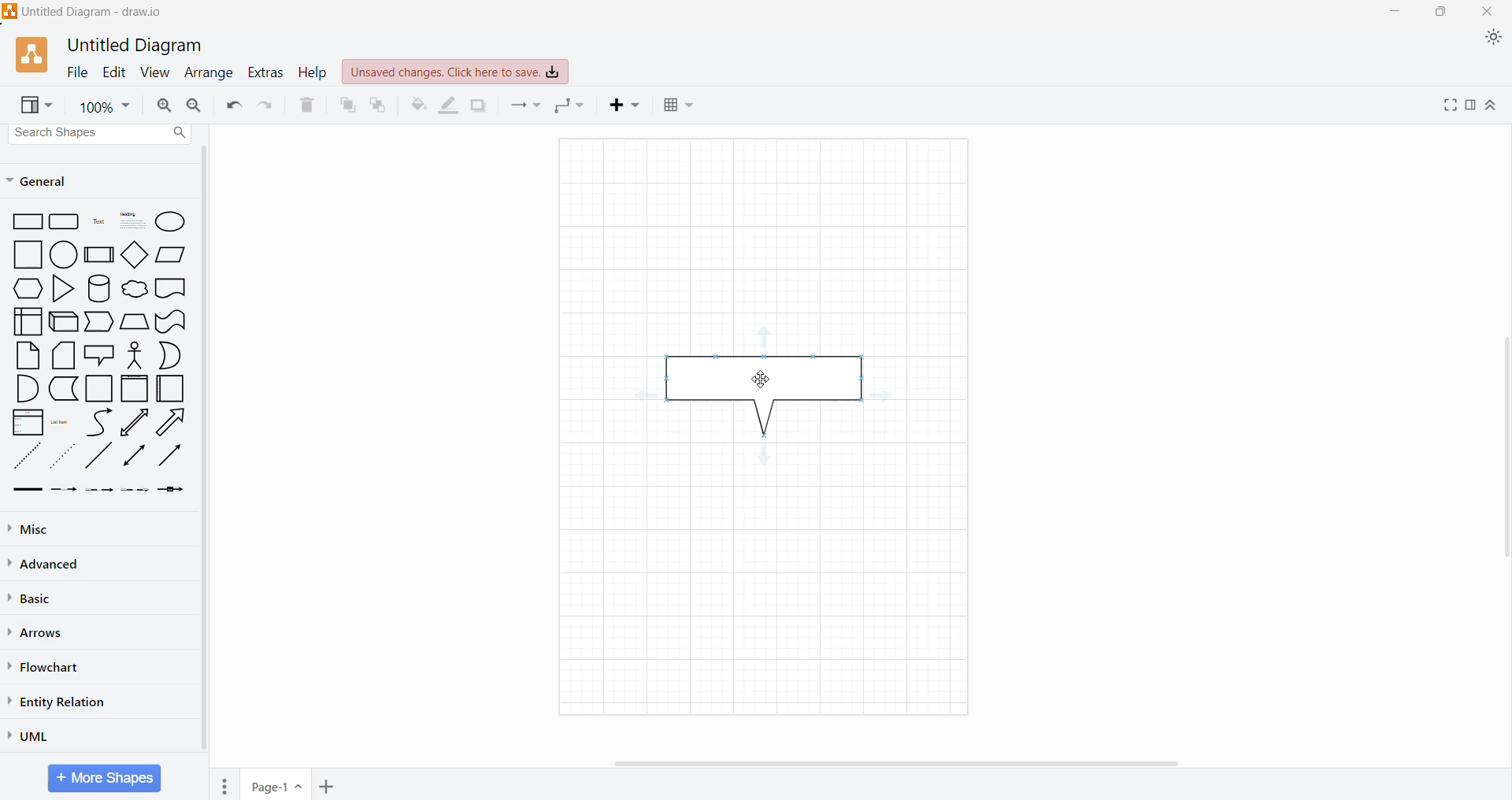  What do you see at coordinates (326, 786) in the screenshot?
I see `Add Page` at bounding box center [326, 786].